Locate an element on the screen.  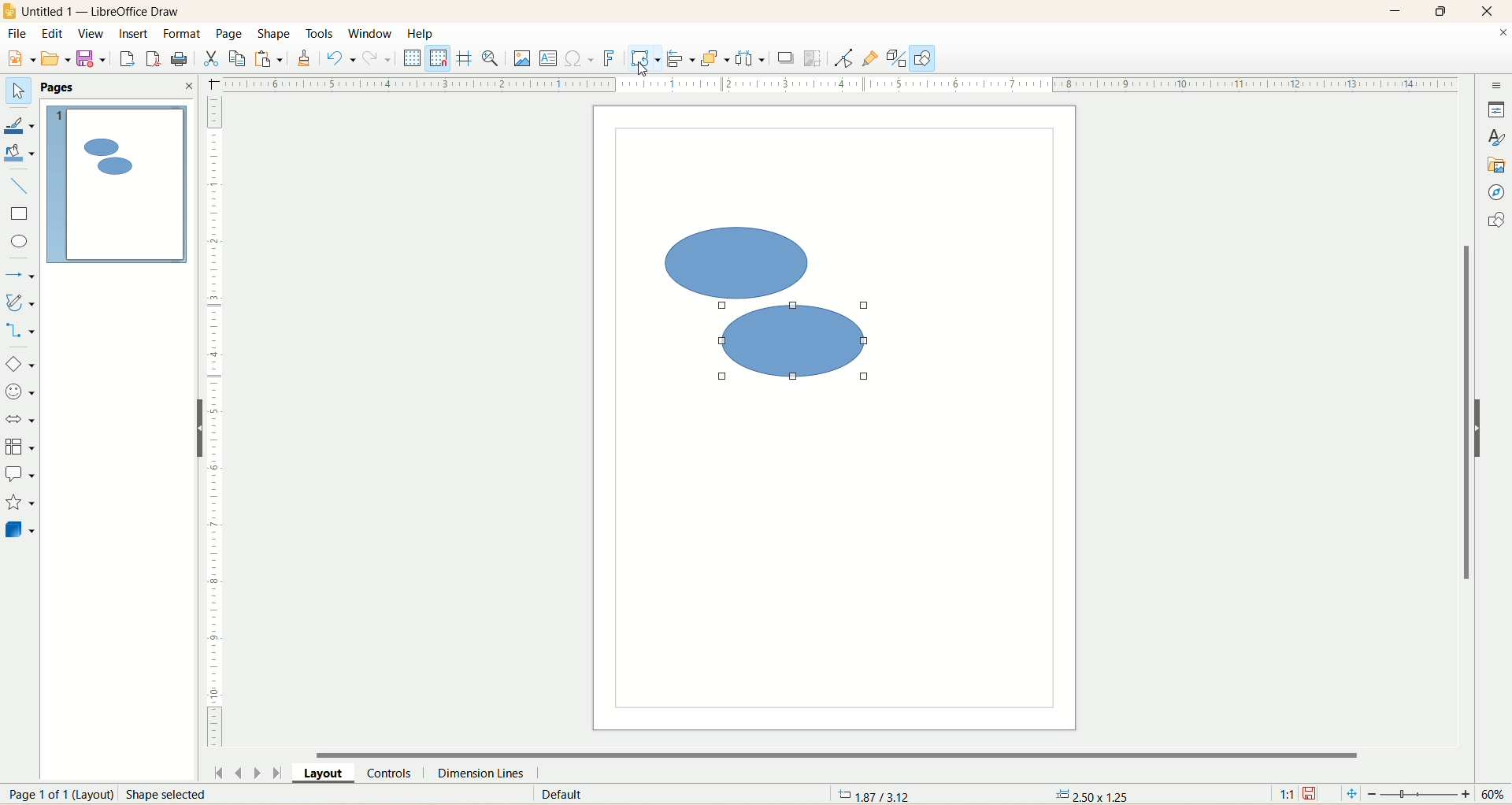
 is located at coordinates (522, 58).